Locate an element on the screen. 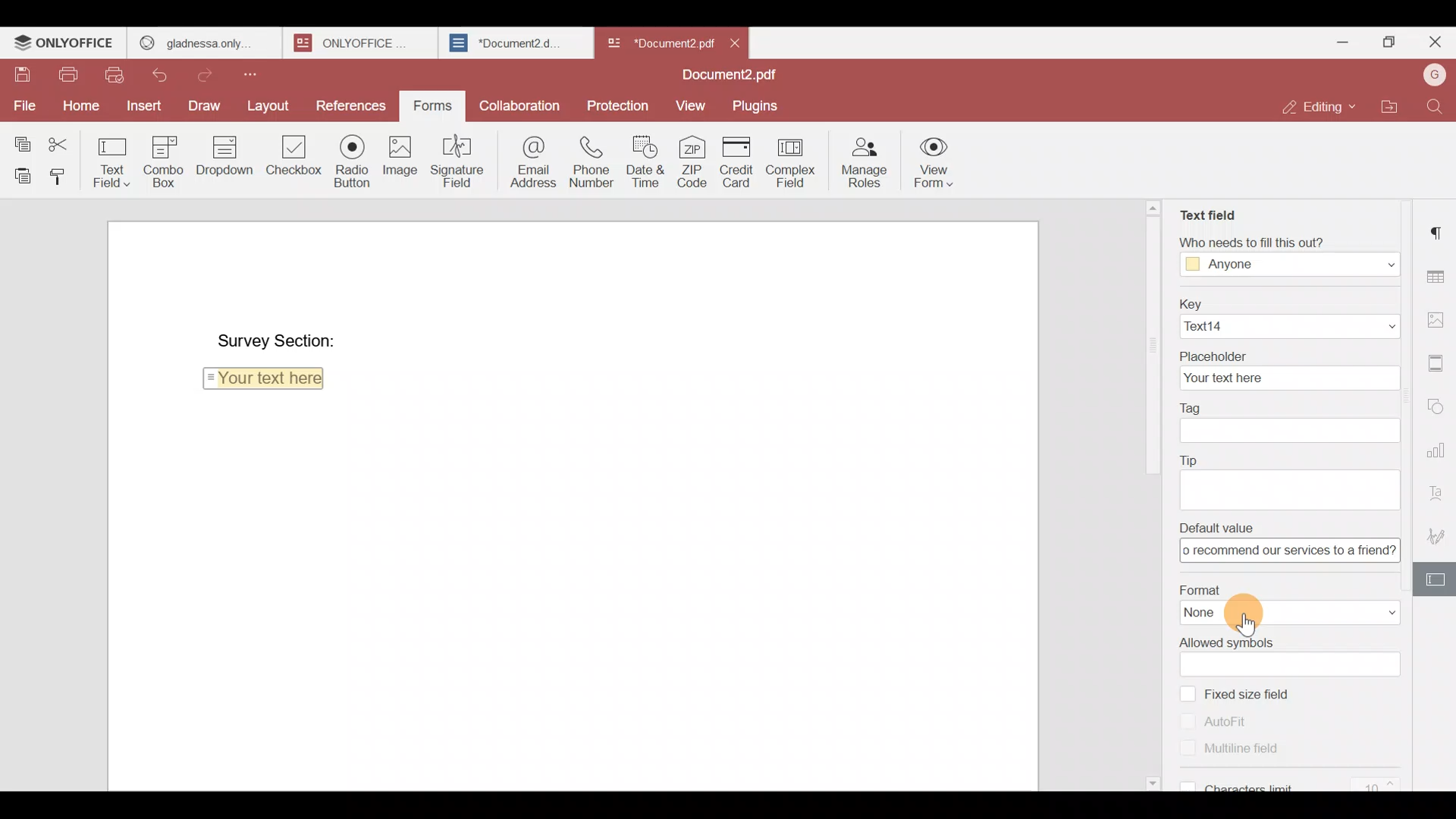 Image resolution: width=1456 pixels, height=819 pixels. Format is located at coordinates (1288, 587).